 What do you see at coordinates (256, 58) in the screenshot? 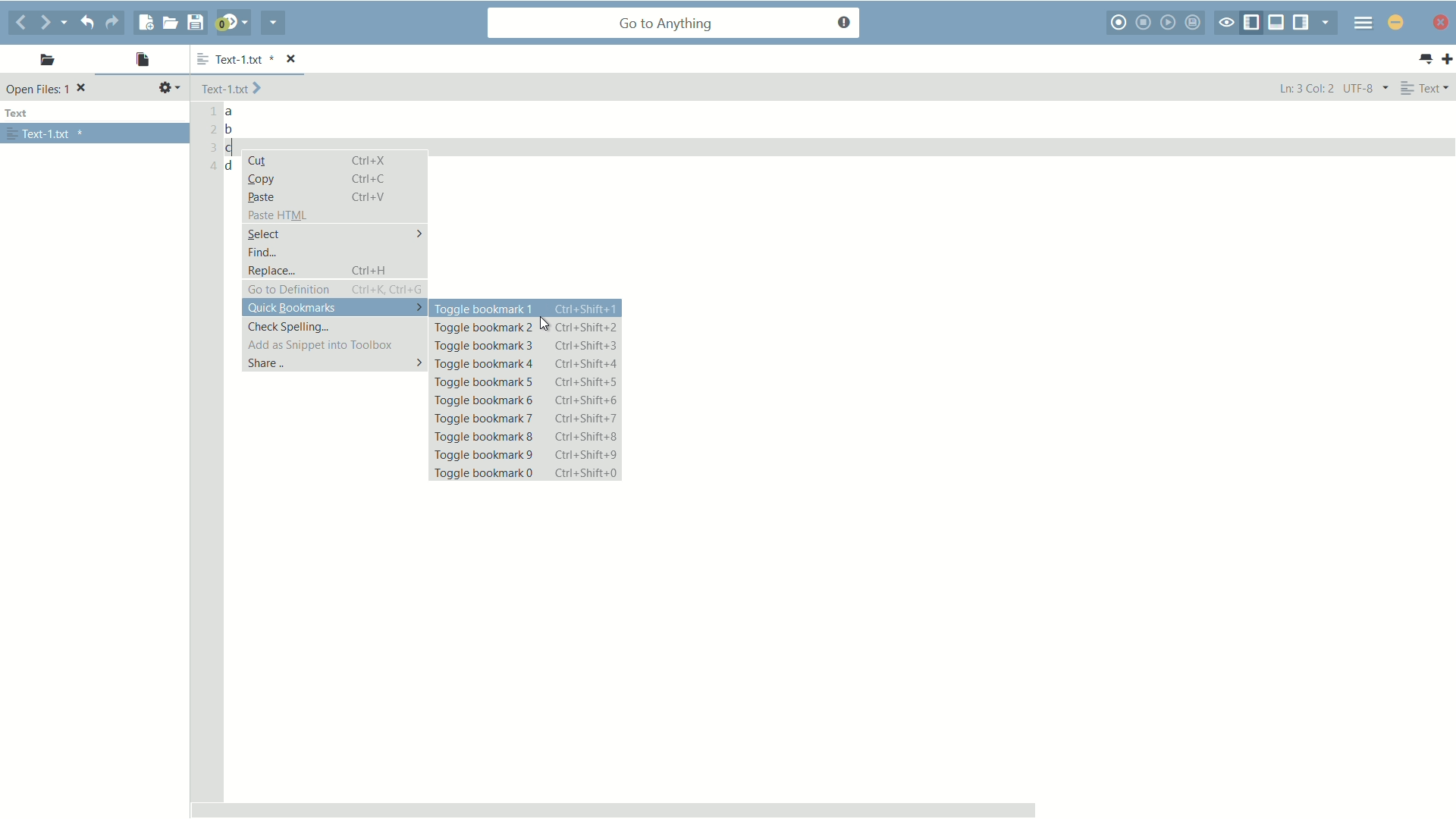
I see `Text-1.txt *` at bounding box center [256, 58].